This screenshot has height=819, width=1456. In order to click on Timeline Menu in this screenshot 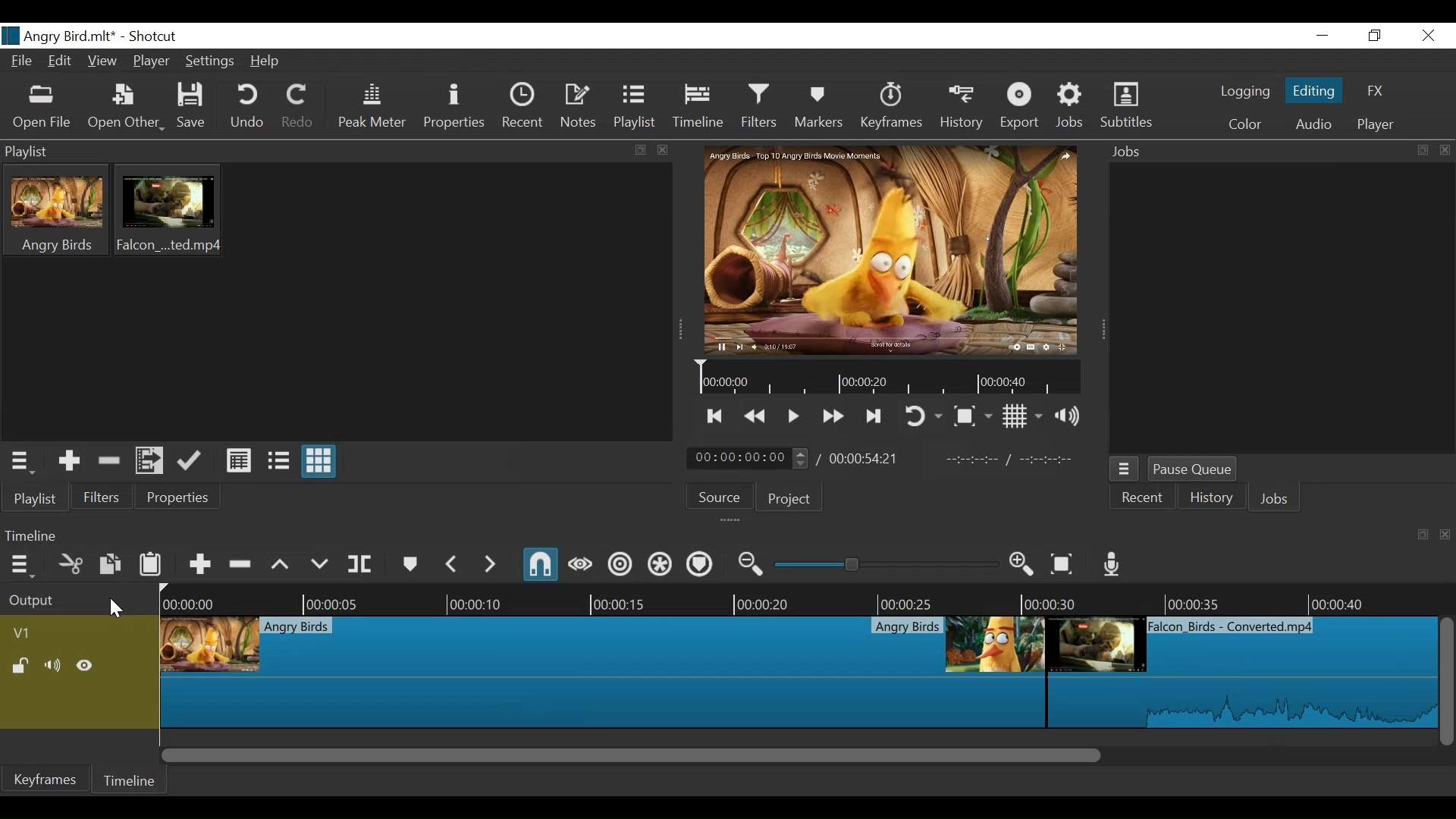, I will do `click(22, 565)`.